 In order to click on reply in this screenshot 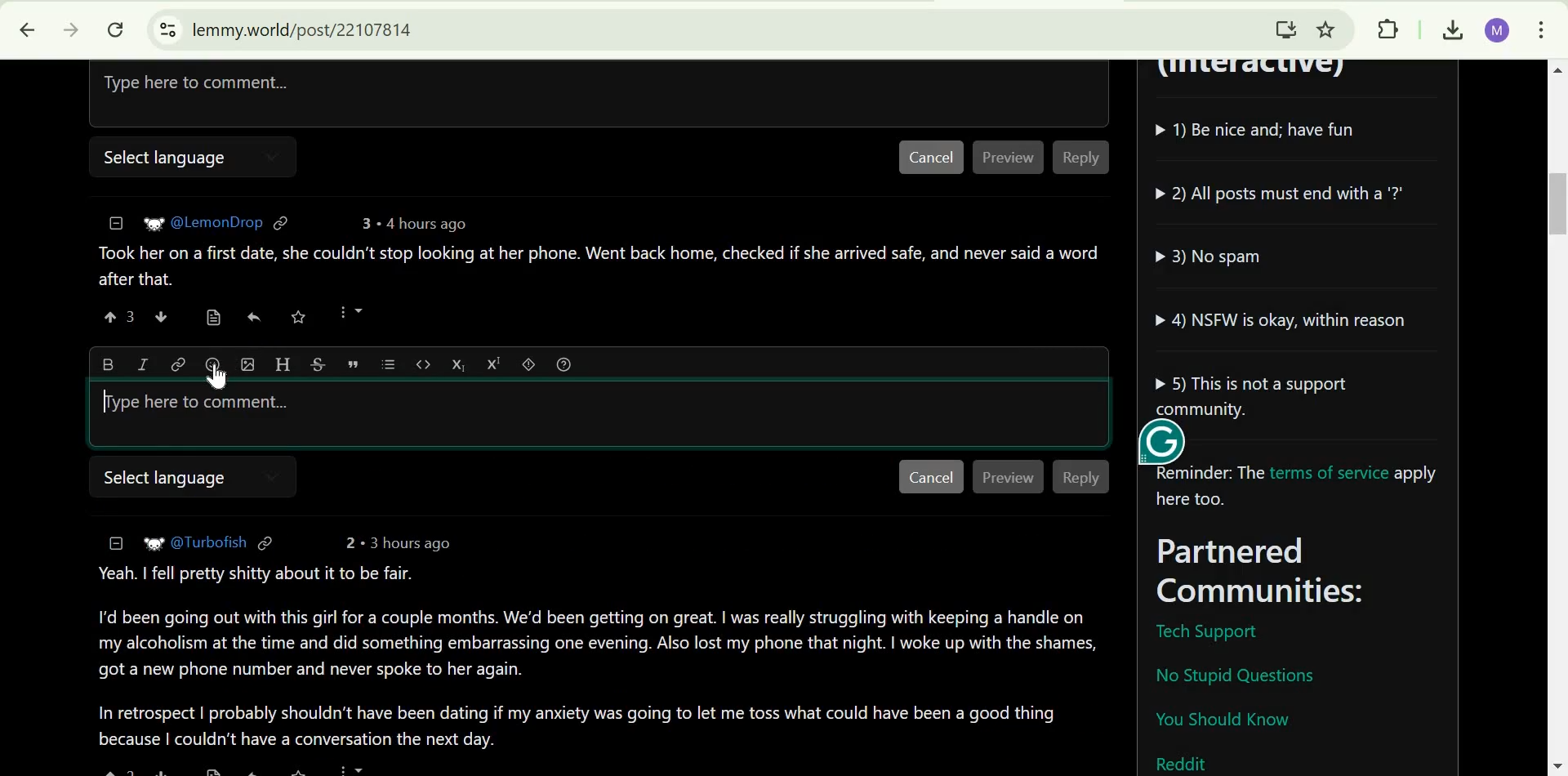, I will do `click(252, 317)`.